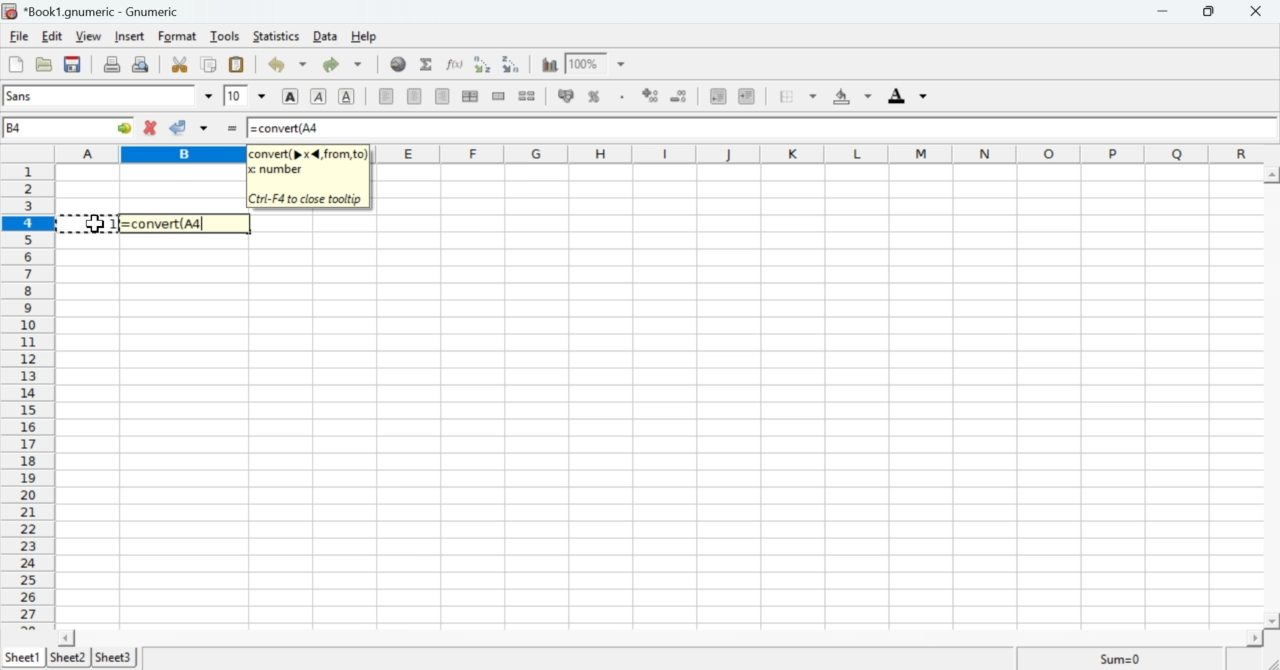 This screenshot has width=1280, height=670. I want to click on Minimize/Maximize, so click(1210, 12).